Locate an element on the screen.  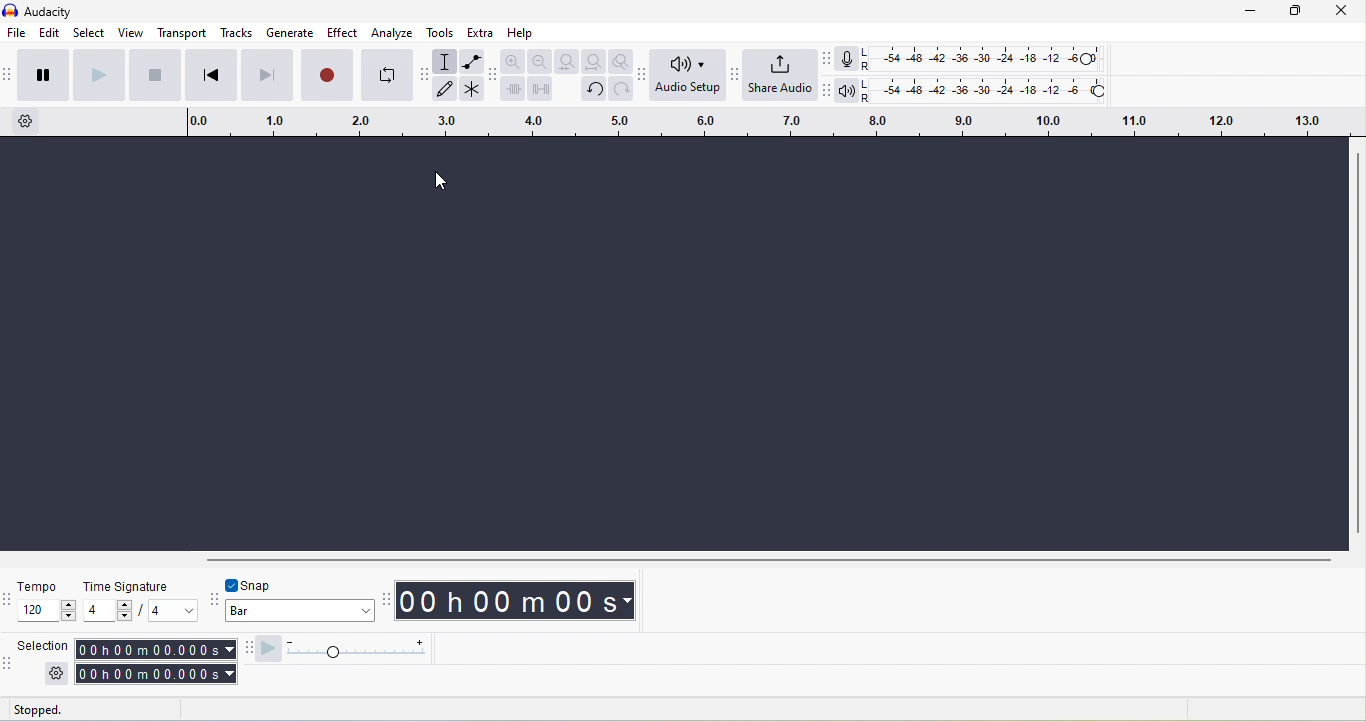
bar is located at coordinates (307, 613).